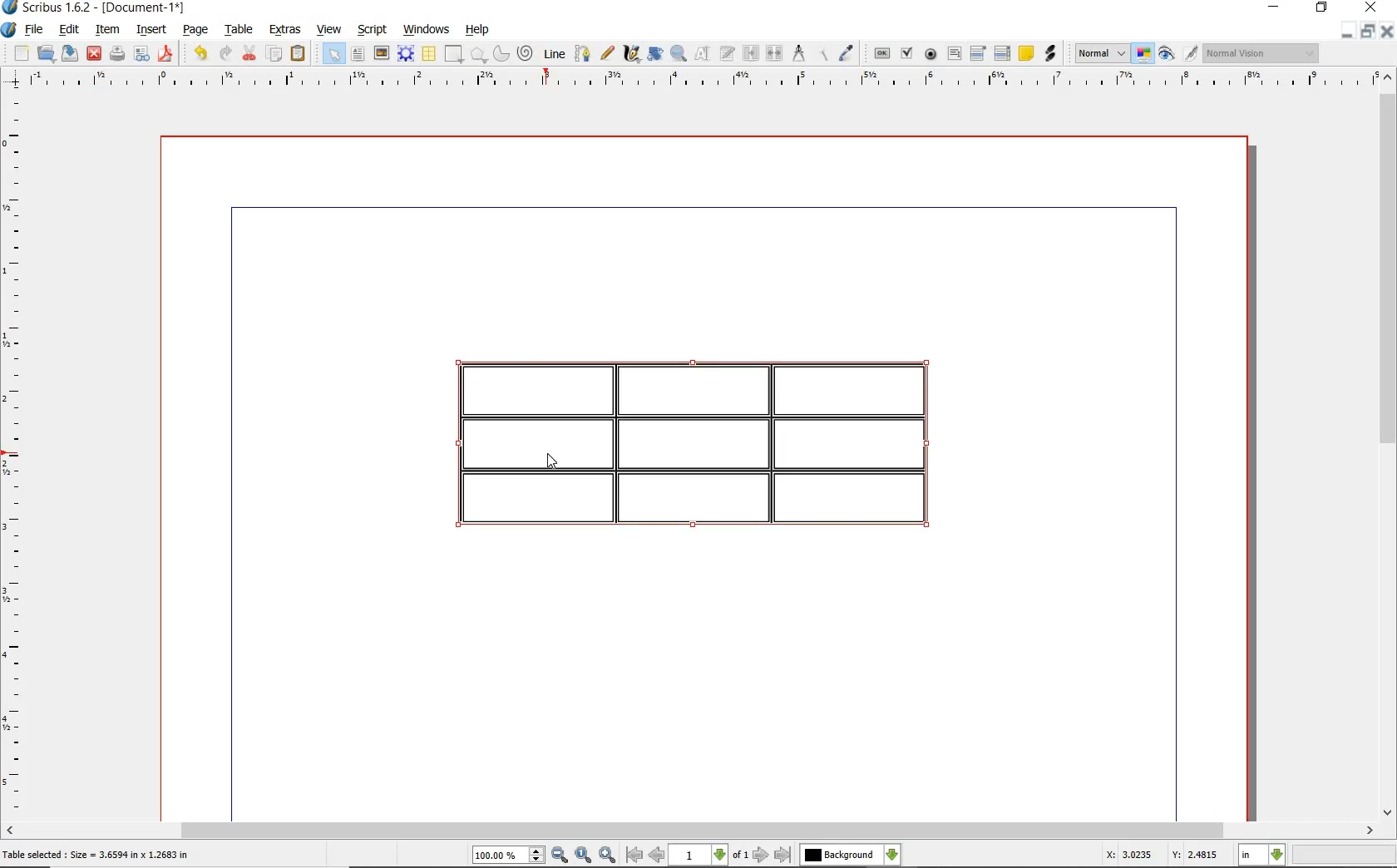 This screenshot has height=868, width=1397. What do you see at coordinates (225, 54) in the screenshot?
I see `redo` at bounding box center [225, 54].